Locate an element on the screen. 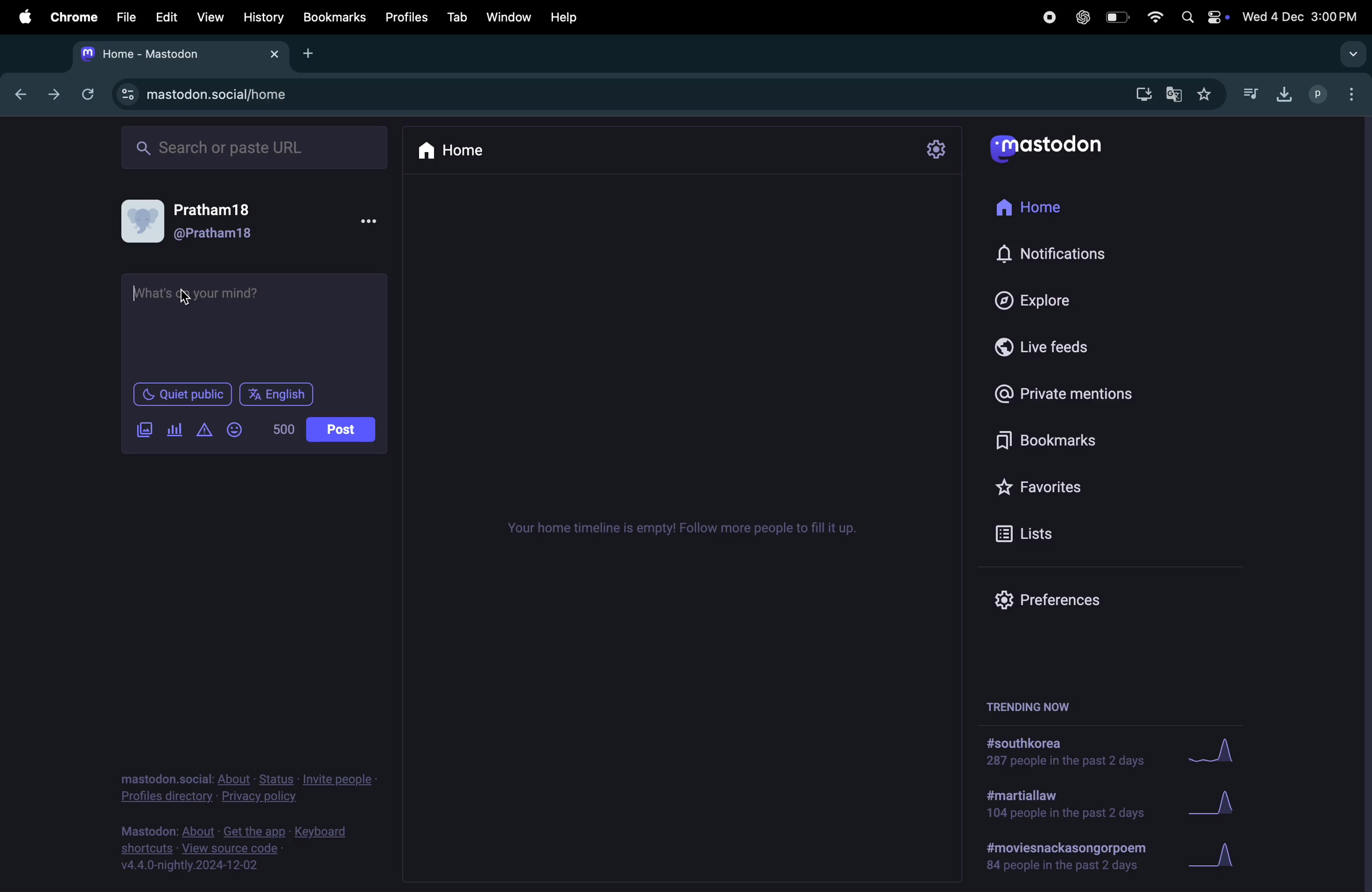 This screenshot has width=1372, height=892. edit is located at coordinates (165, 18).